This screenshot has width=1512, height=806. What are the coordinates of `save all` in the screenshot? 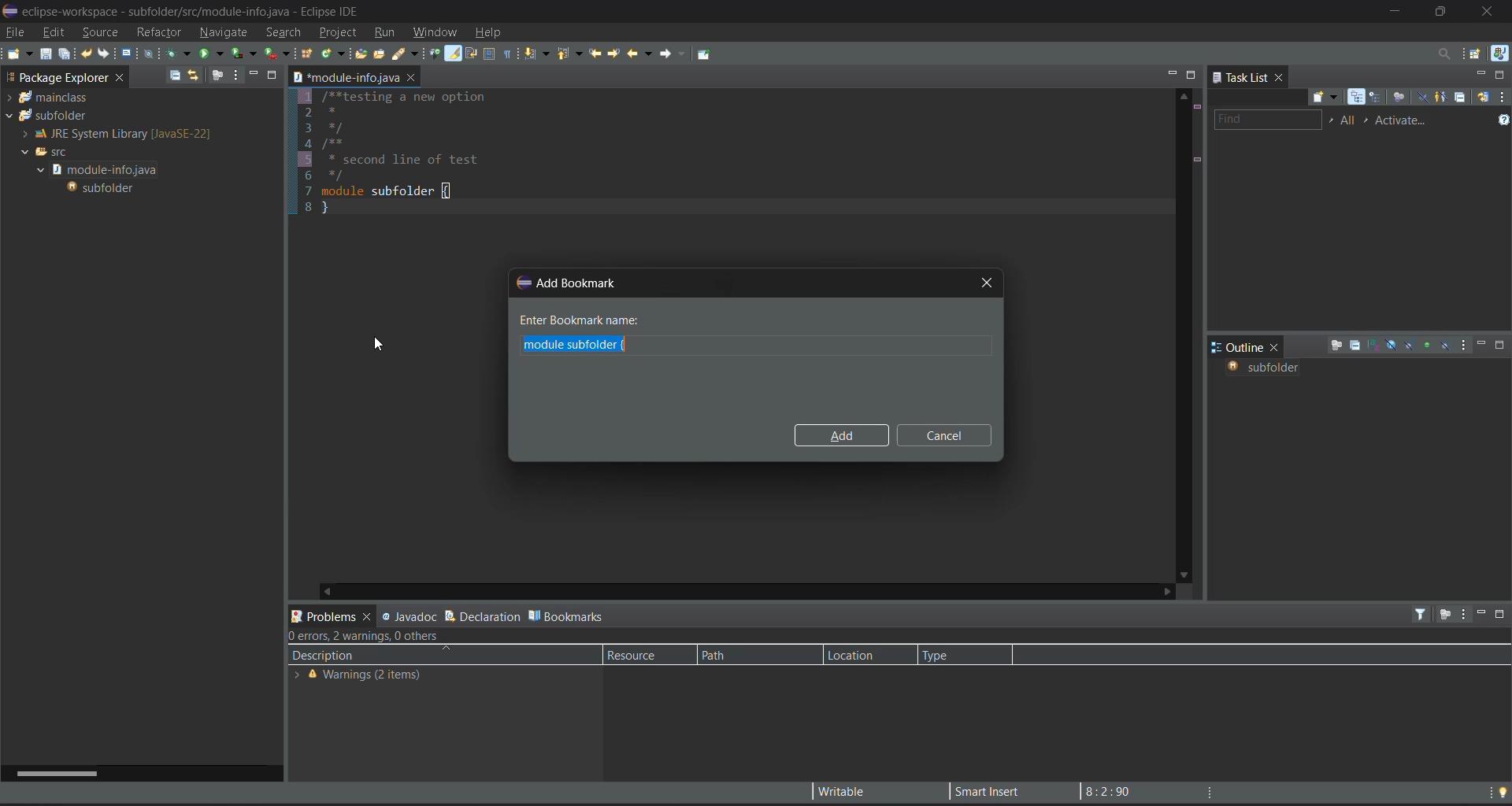 It's located at (65, 54).